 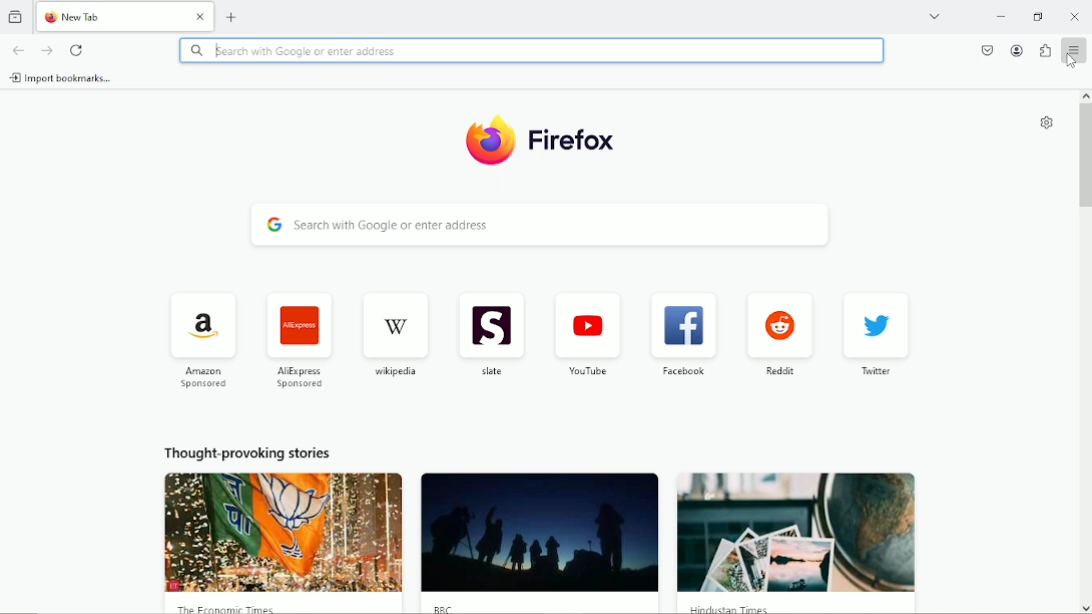 I want to click on View recent browsing, so click(x=17, y=15).